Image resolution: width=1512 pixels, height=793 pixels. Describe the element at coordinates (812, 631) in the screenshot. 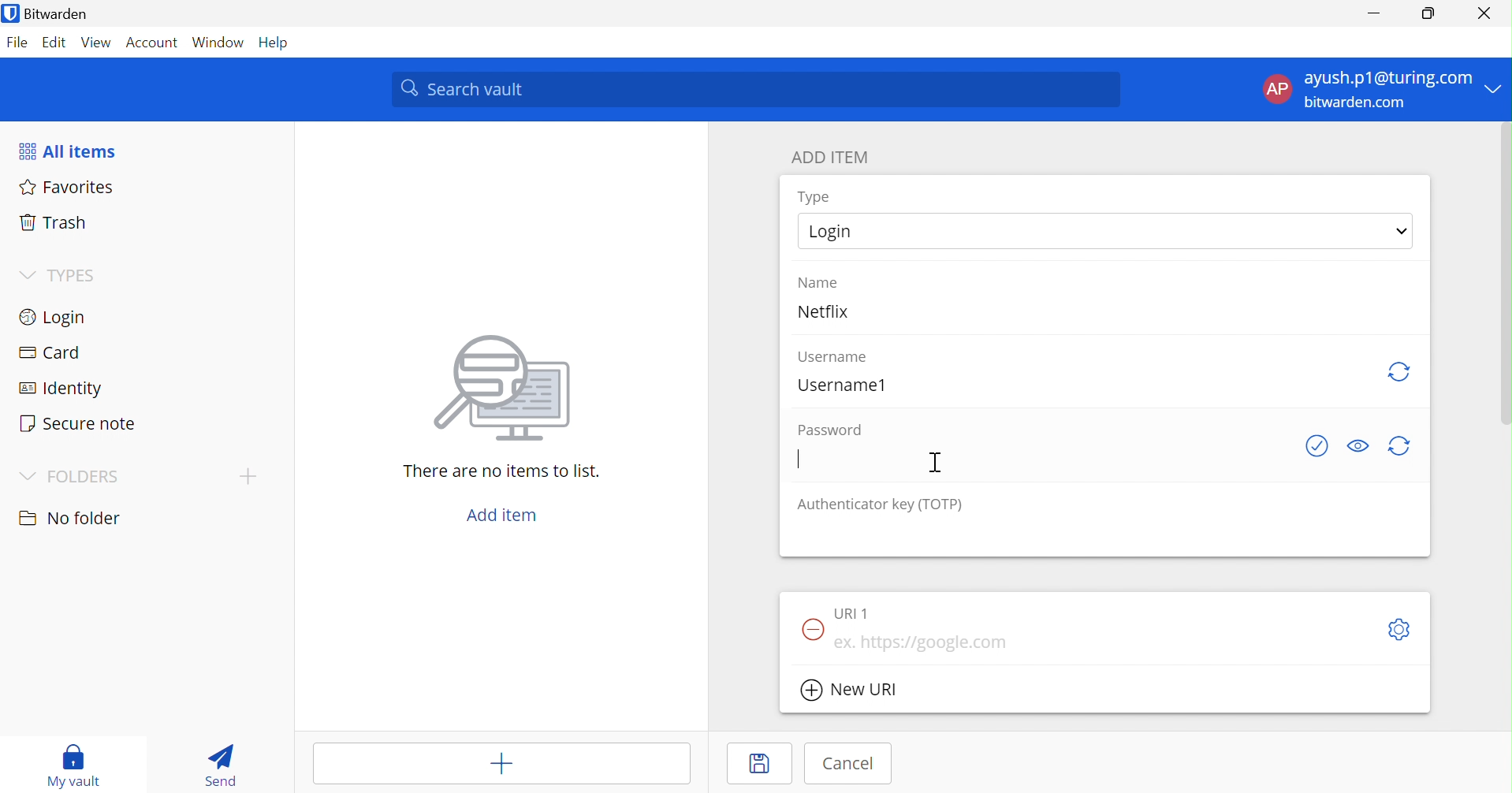

I see `Remove` at that location.